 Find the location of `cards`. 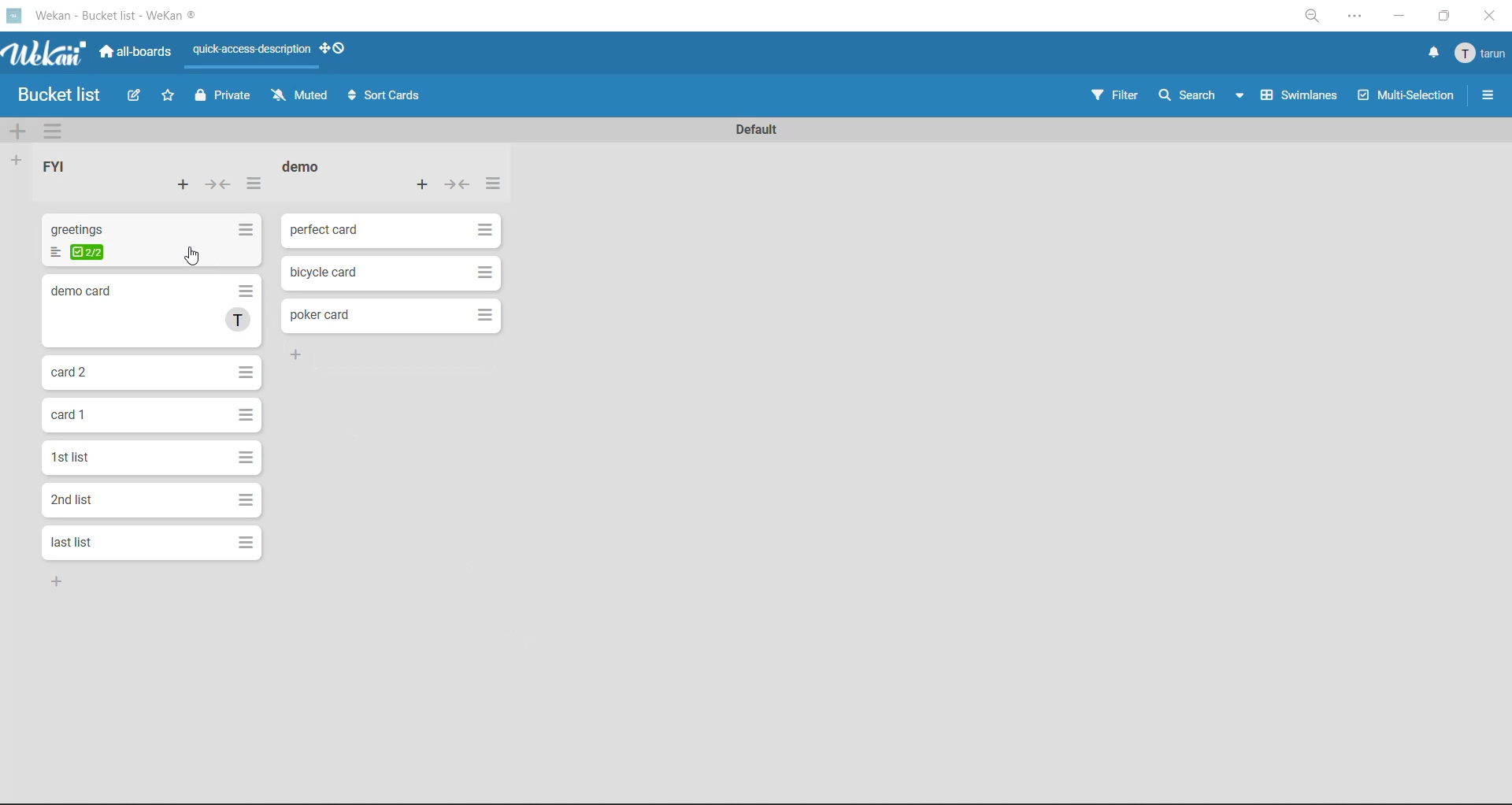

cards is located at coordinates (391, 273).